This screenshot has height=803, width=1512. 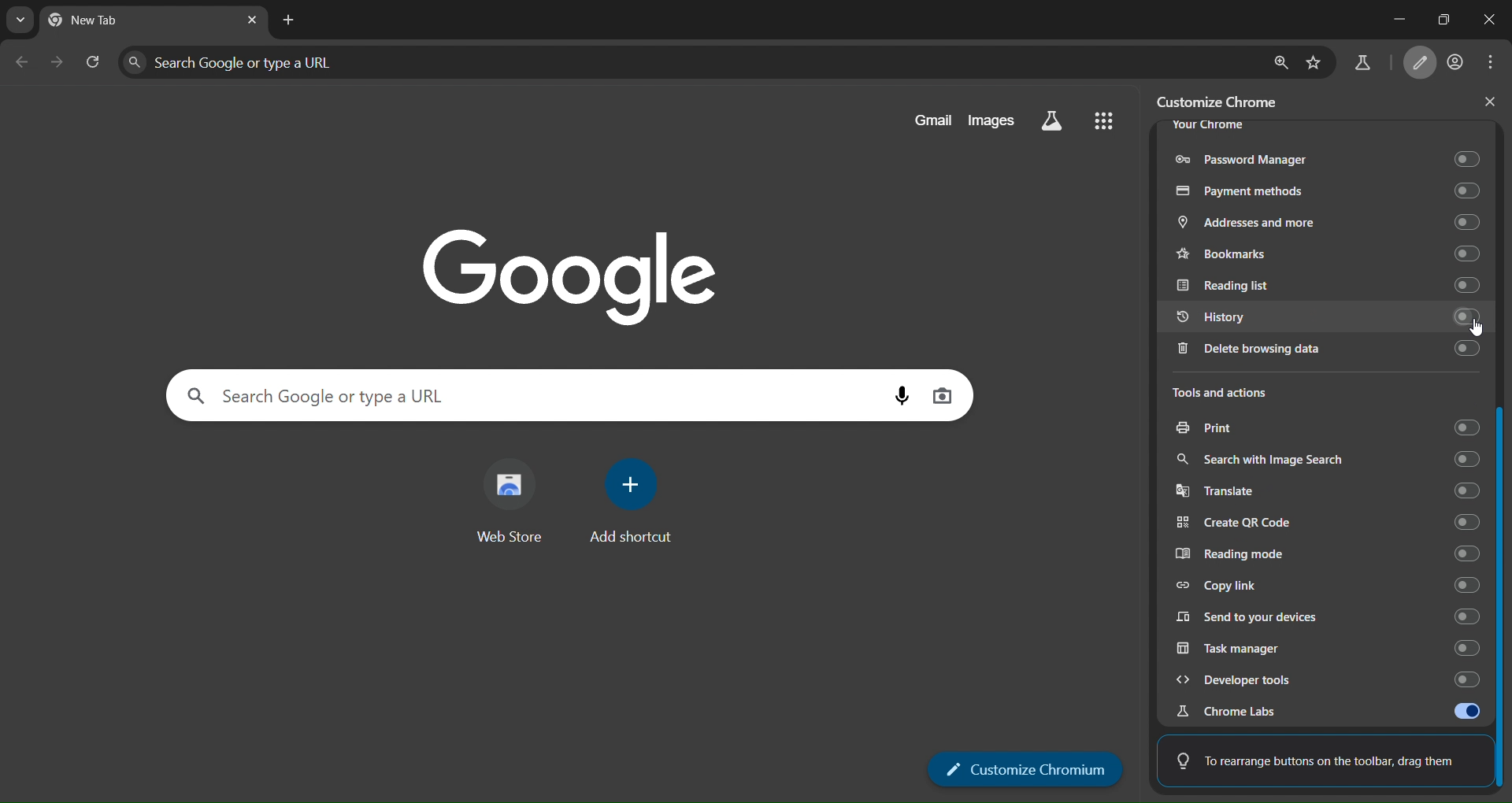 I want to click on your chrome, so click(x=1208, y=125).